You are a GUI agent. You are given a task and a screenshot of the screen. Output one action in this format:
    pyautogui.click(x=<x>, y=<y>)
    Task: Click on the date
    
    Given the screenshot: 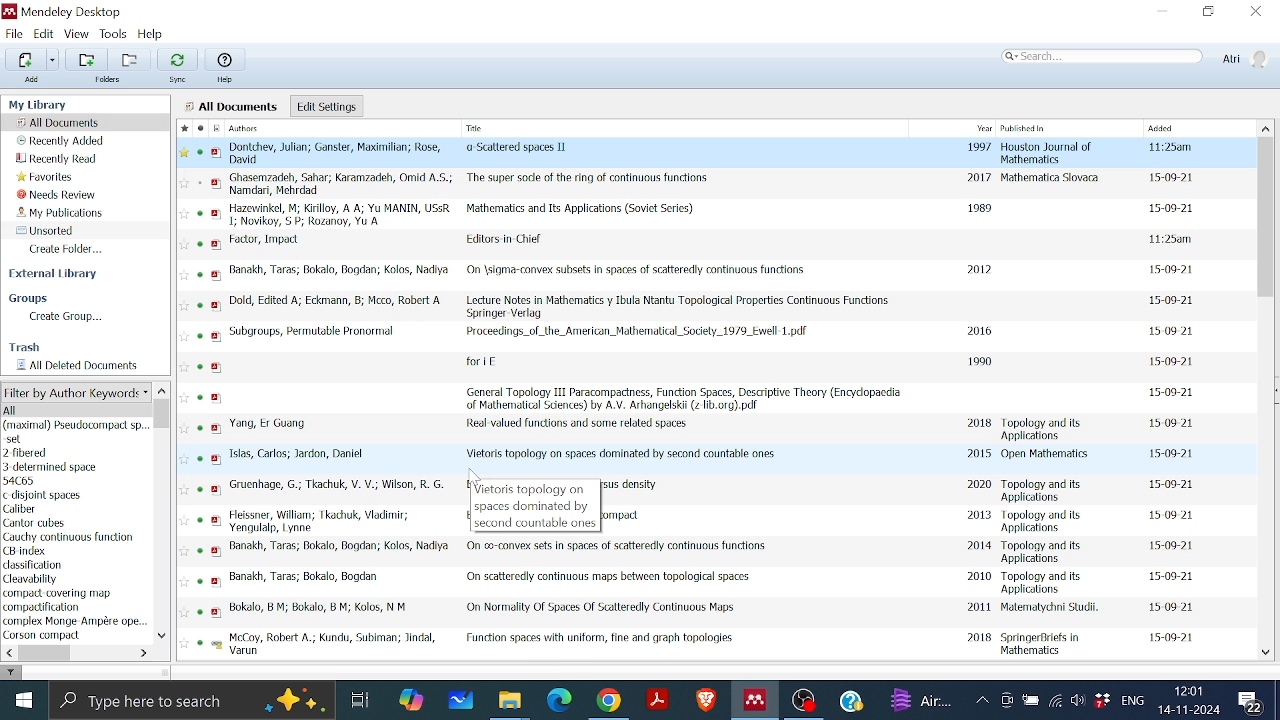 What is the action you would take?
    pyautogui.click(x=1168, y=578)
    